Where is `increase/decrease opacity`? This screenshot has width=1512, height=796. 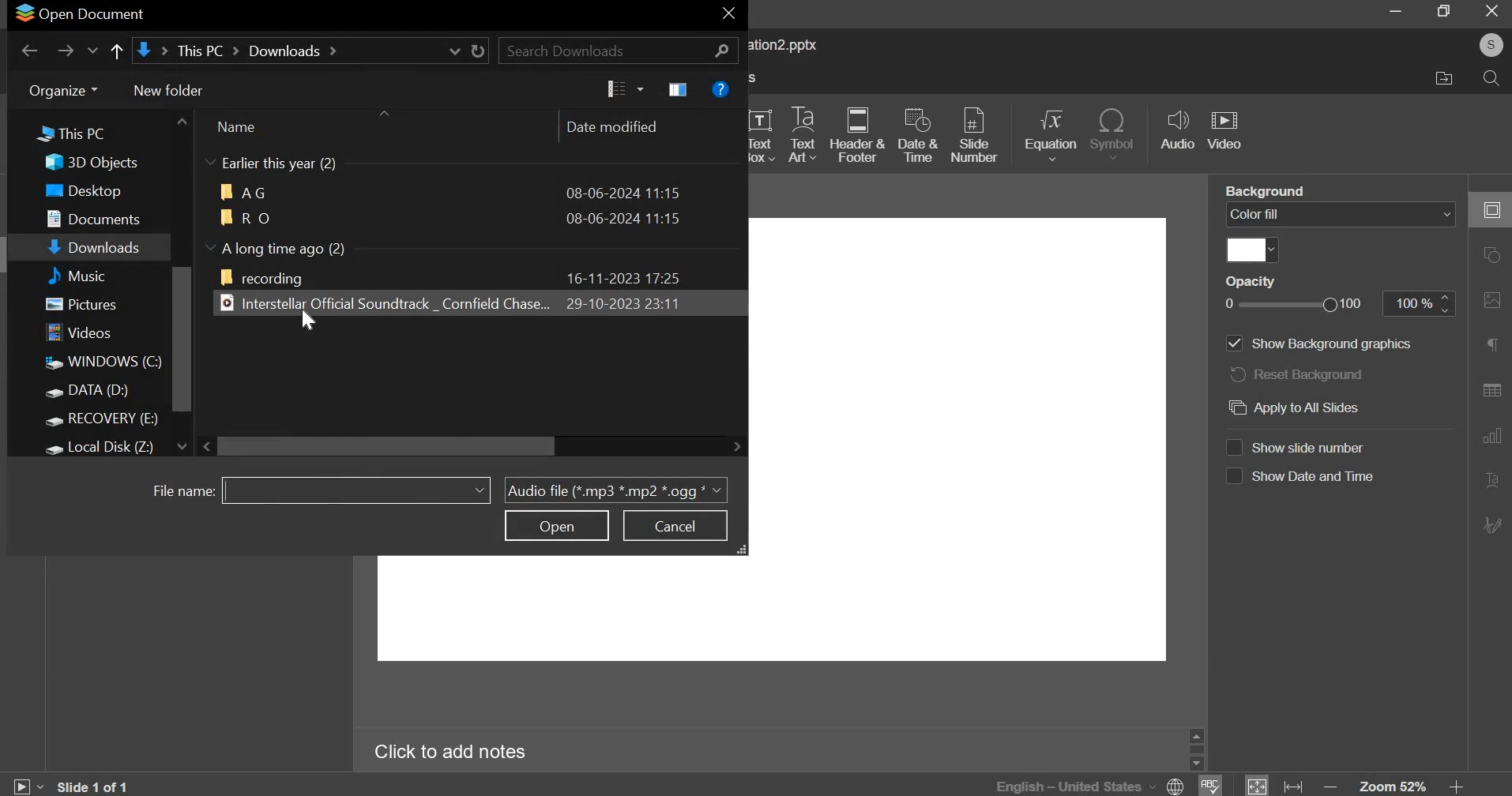
increase/decrease opacity is located at coordinates (1447, 303).